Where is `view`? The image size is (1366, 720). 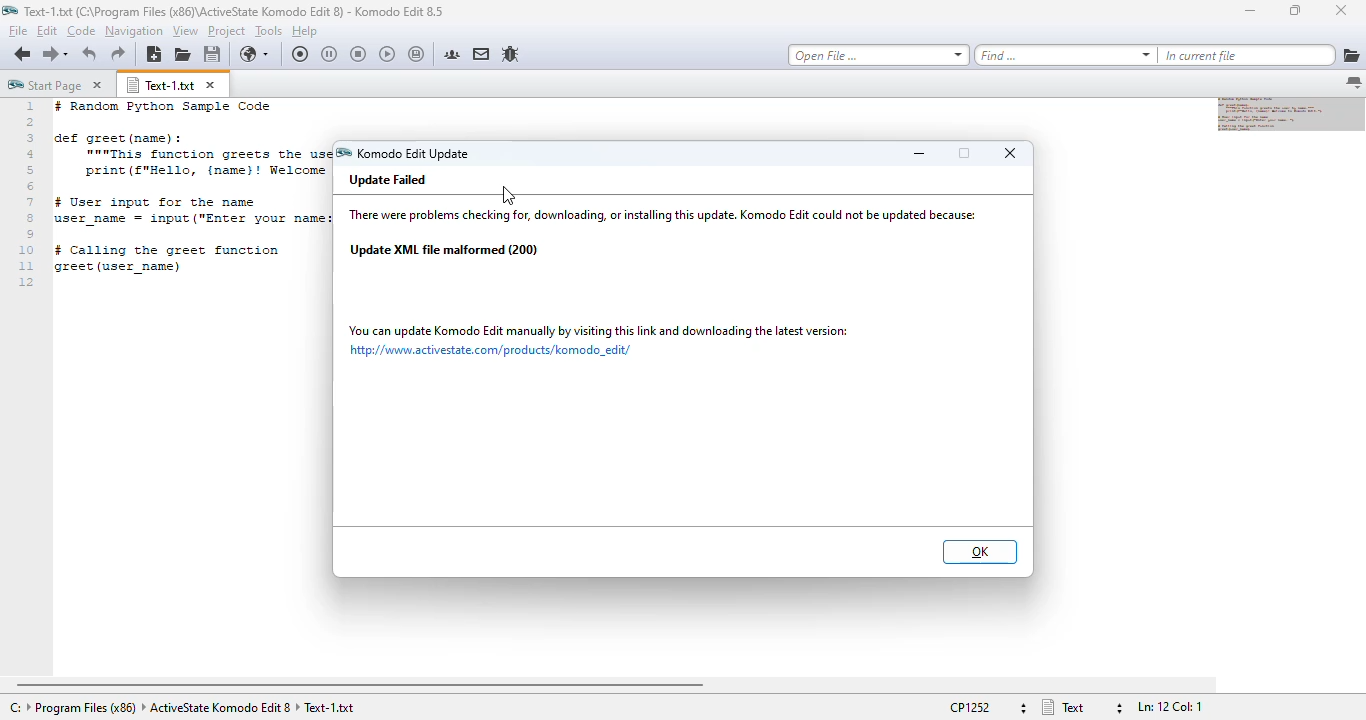 view is located at coordinates (185, 31).